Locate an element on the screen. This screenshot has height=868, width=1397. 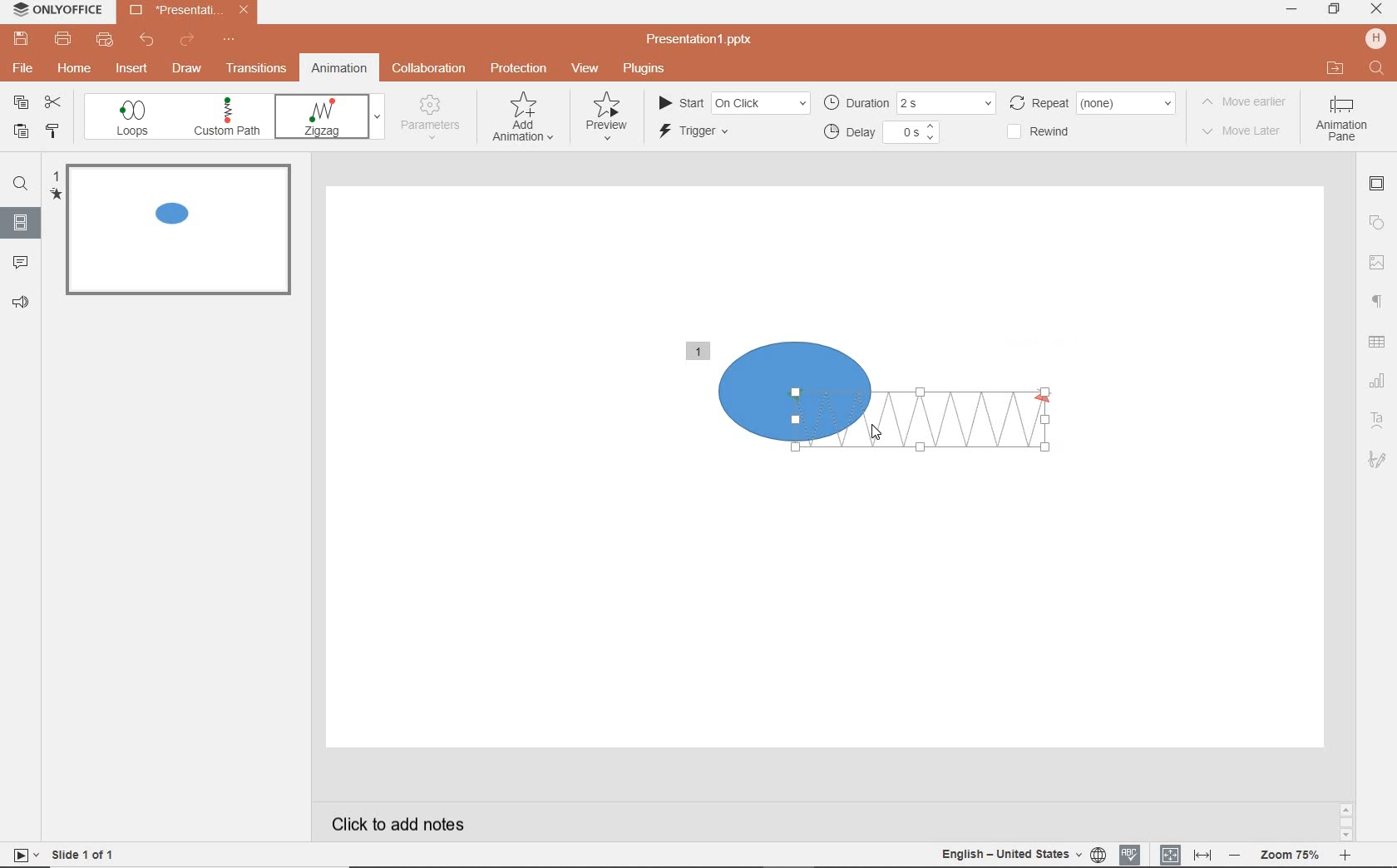
save is located at coordinates (20, 39).